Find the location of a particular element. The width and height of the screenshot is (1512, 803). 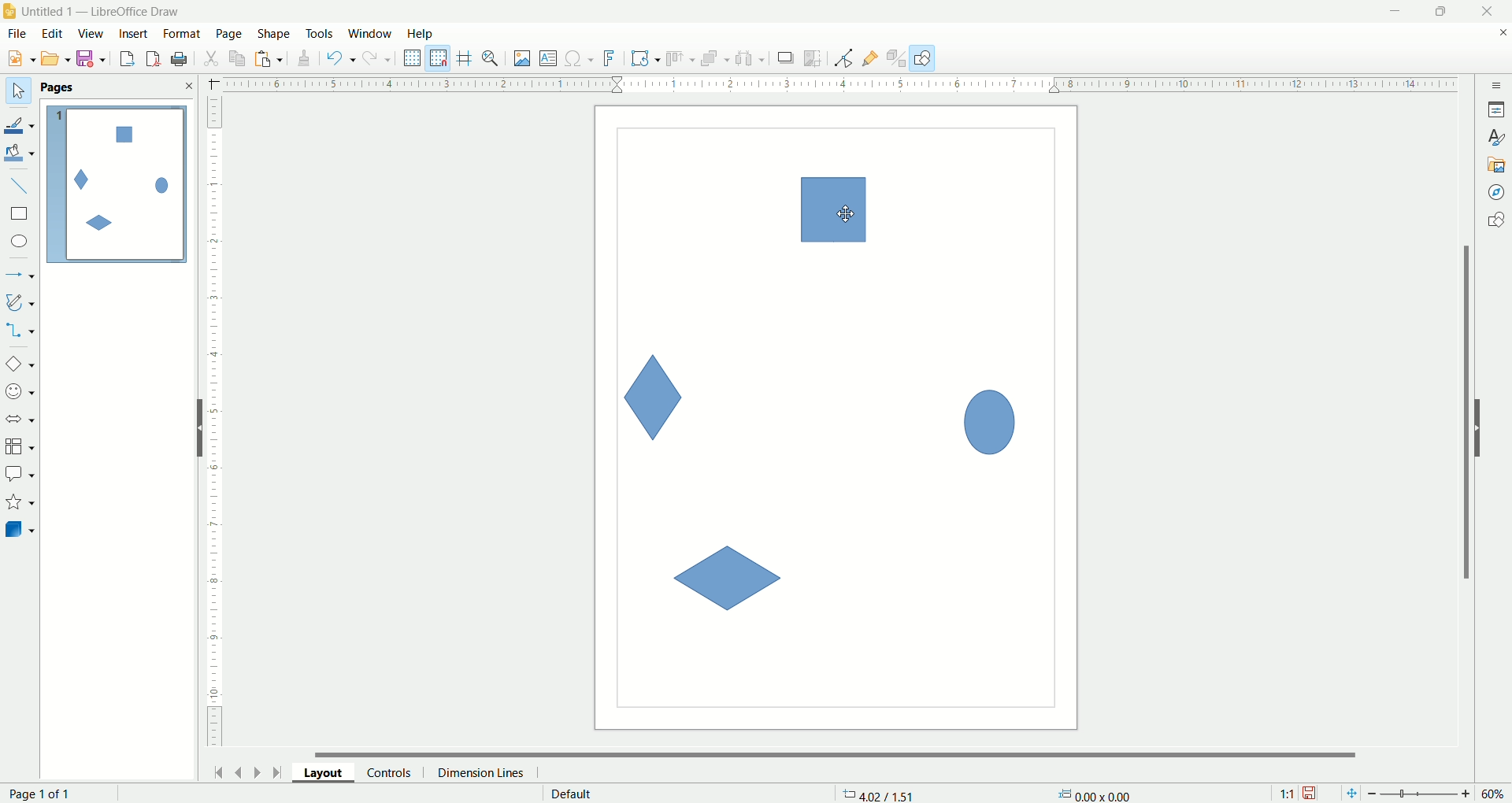

print is located at coordinates (155, 58).